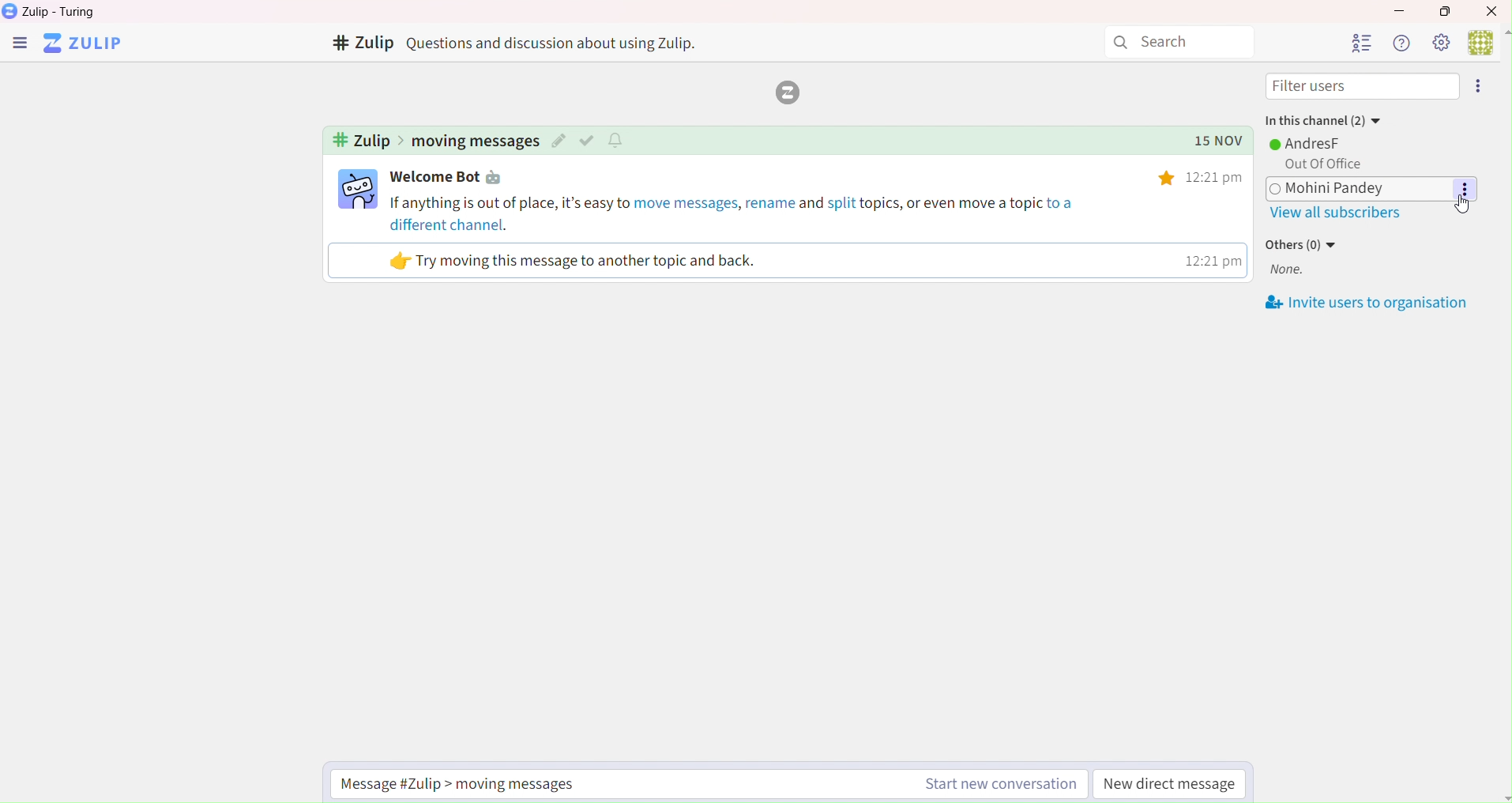  What do you see at coordinates (1458, 209) in the screenshot?
I see `cursor` at bounding box center [1458, 209].